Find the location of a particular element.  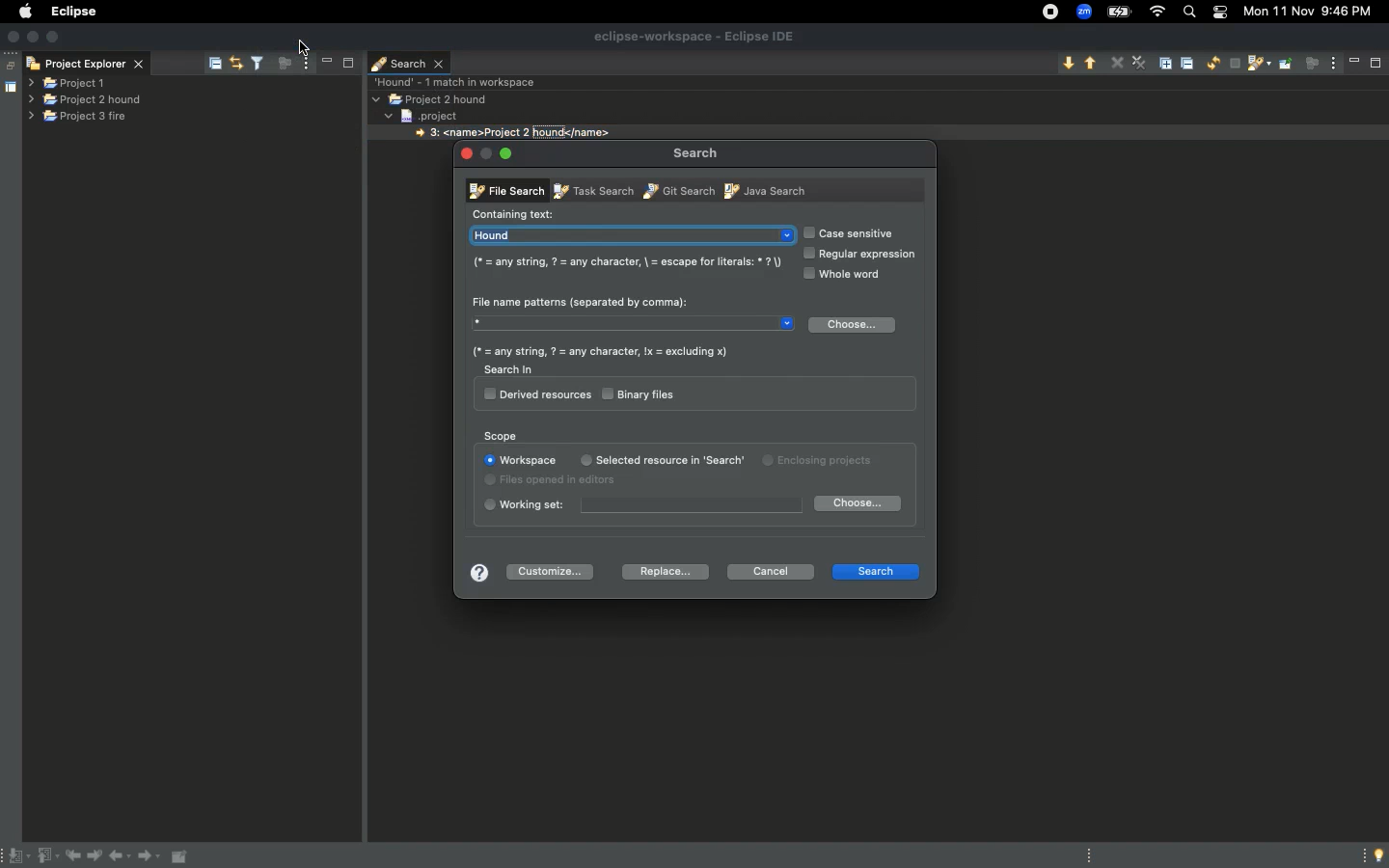

Run the current search again is located at coordinates (1212, 64).